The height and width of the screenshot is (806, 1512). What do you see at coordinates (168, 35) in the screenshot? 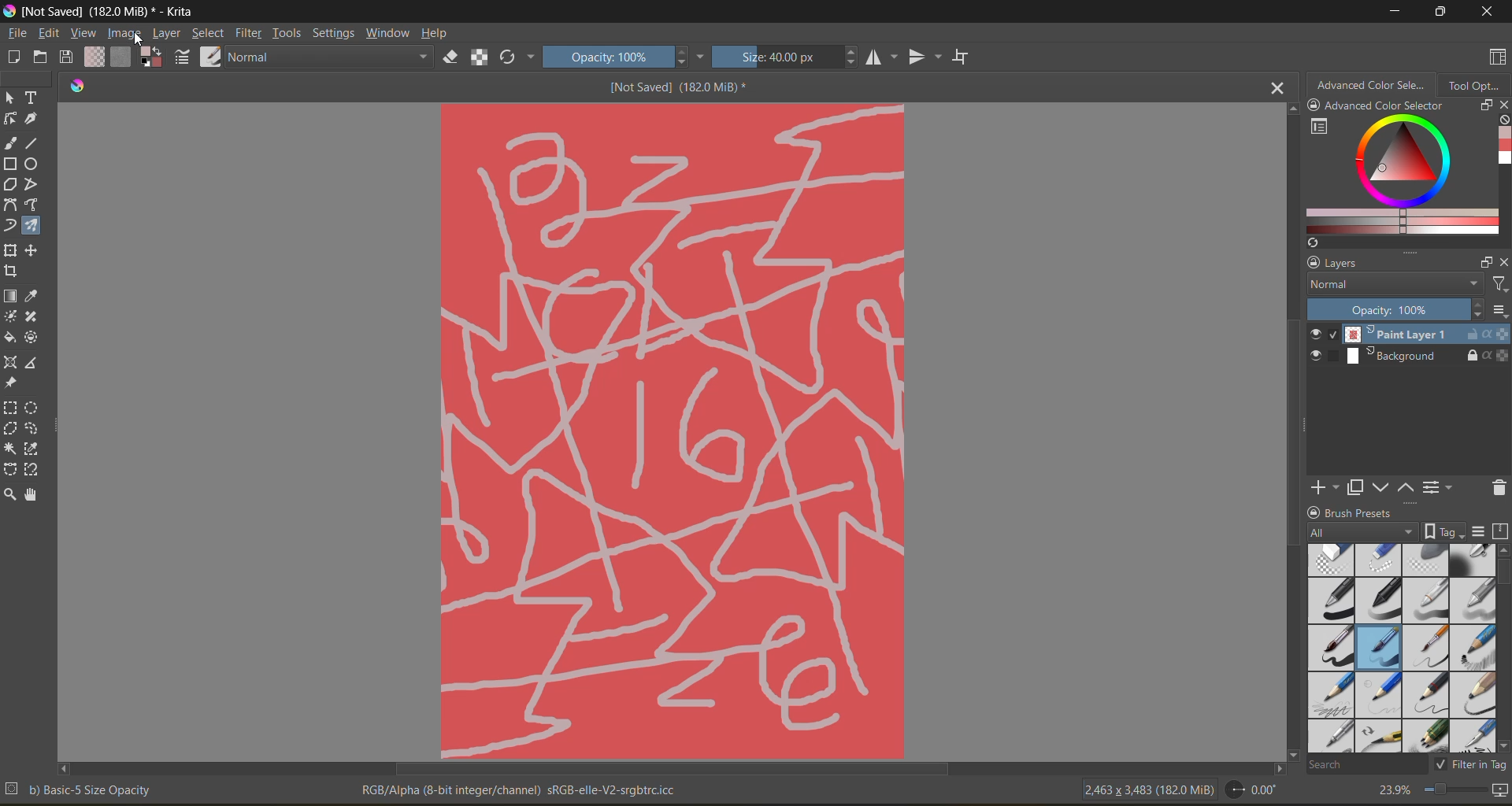
I see `layer` at bounding box center [168, 35].